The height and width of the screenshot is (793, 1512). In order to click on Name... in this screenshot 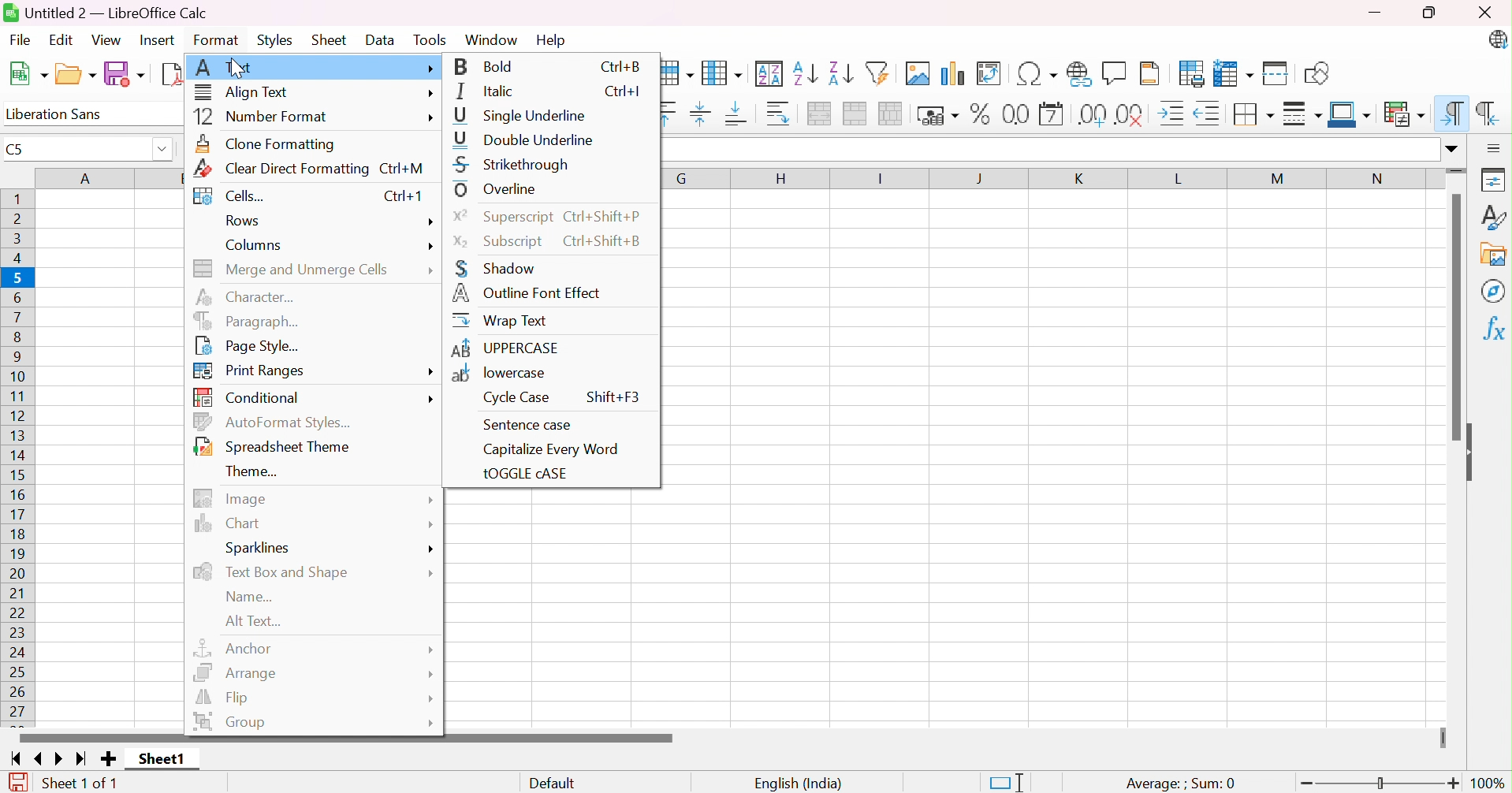, I will do `click(251, 597)`.